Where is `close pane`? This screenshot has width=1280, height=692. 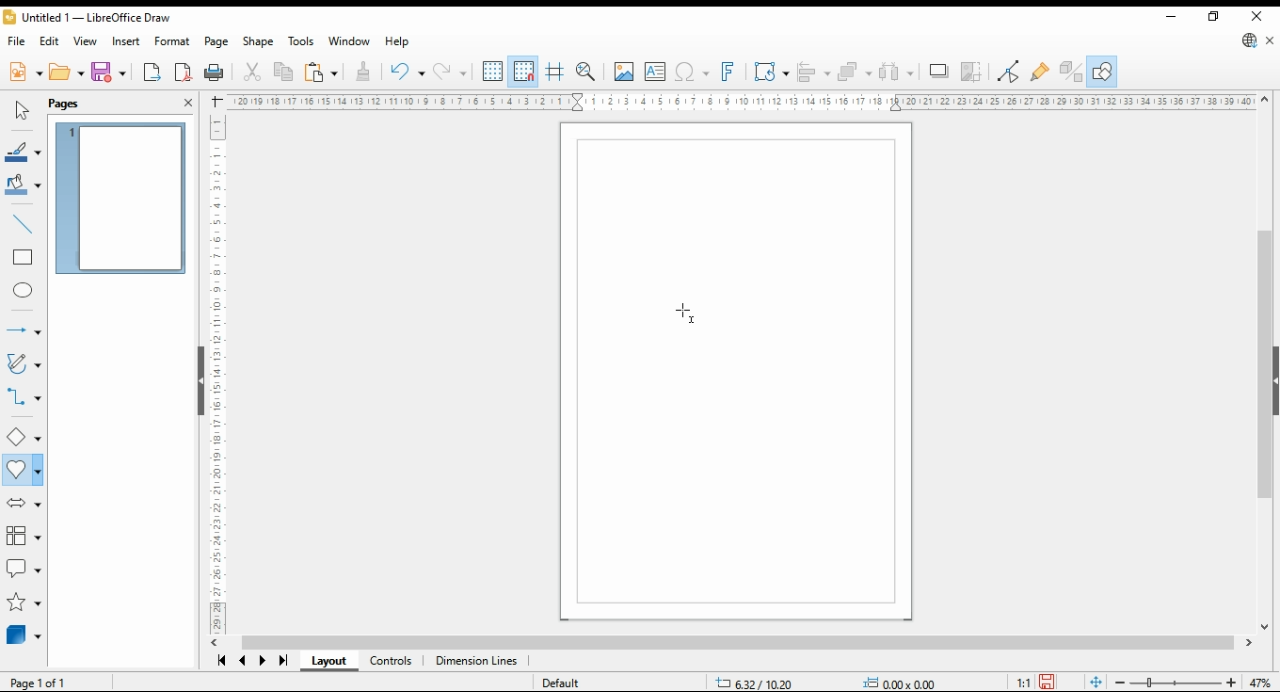 close pane is located at coordinates (189, 103).